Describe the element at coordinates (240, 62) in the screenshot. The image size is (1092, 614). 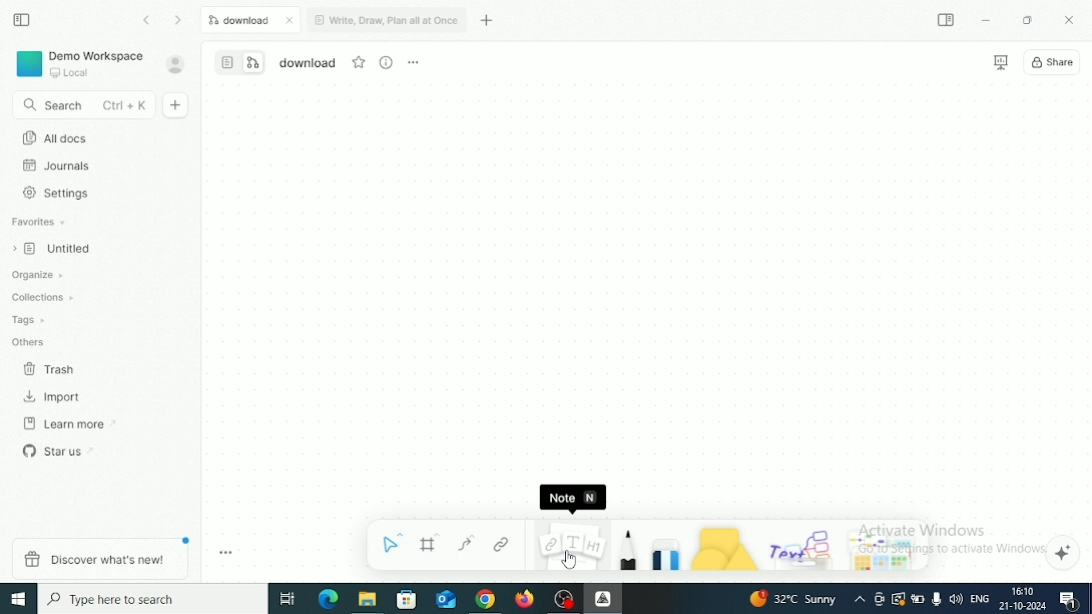
I see `Switch` at that location.